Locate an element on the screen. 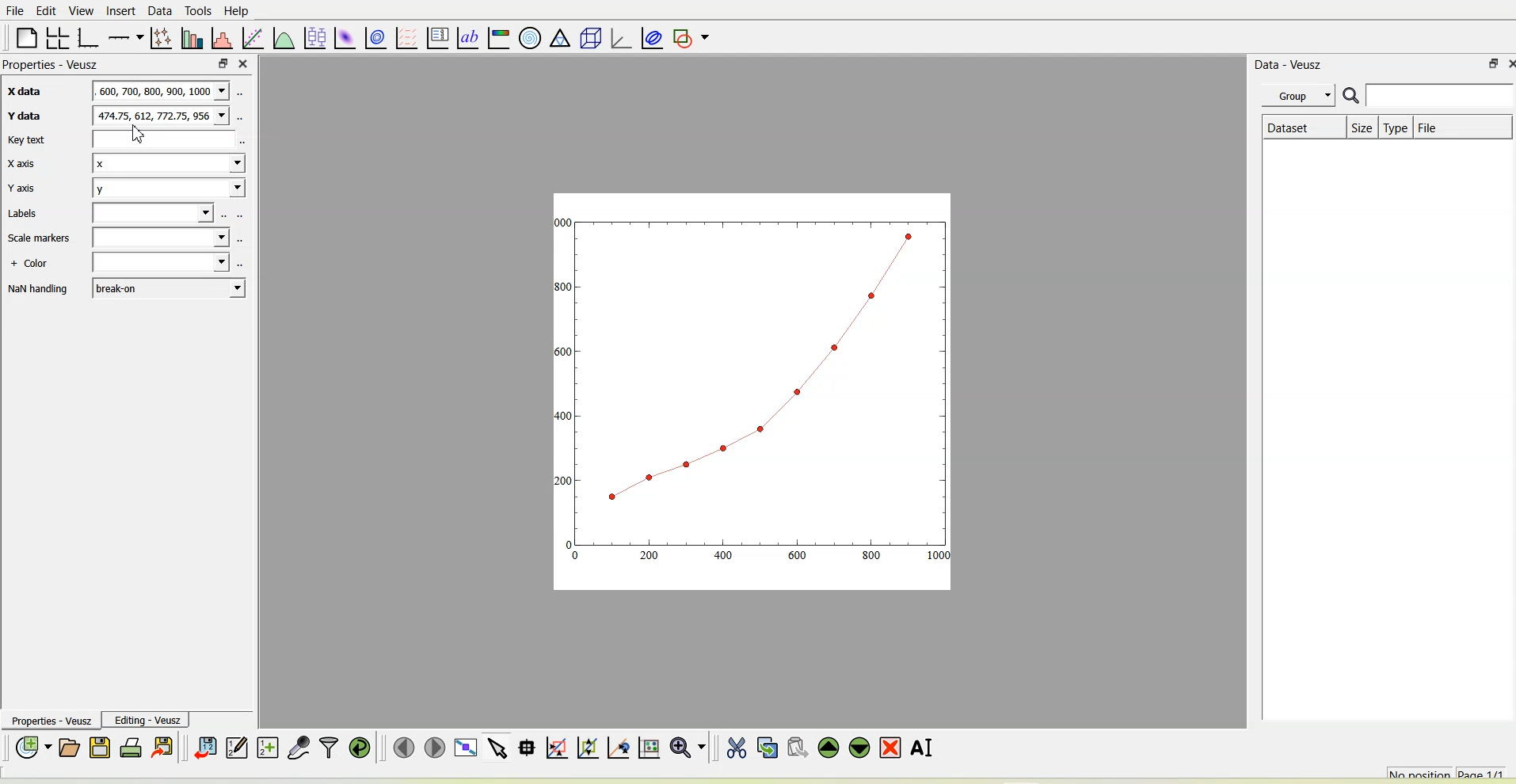 This screenshot has height=784, width=1516. X data is located at coordinates (30, 89).